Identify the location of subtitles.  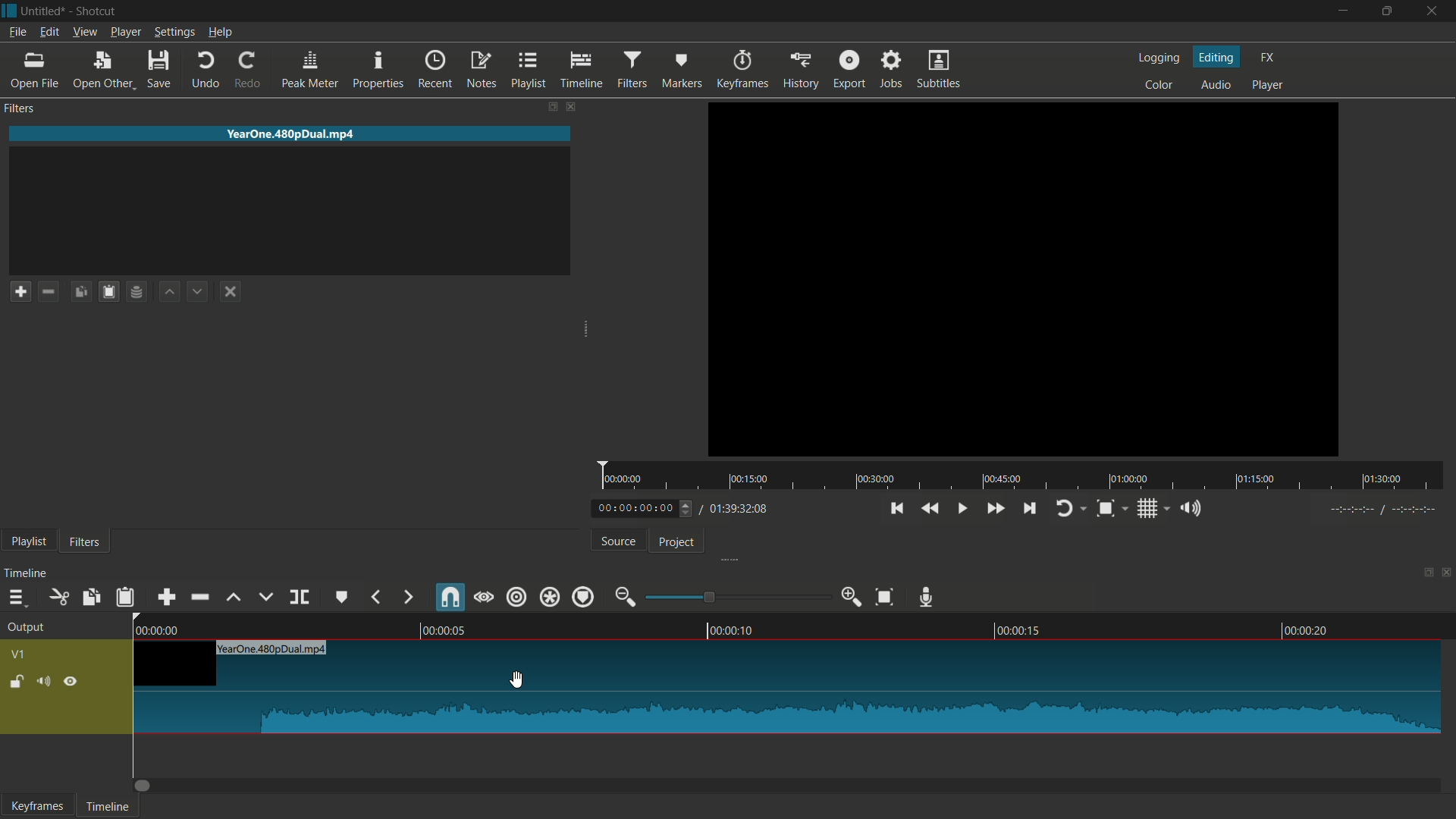
(940, 68).